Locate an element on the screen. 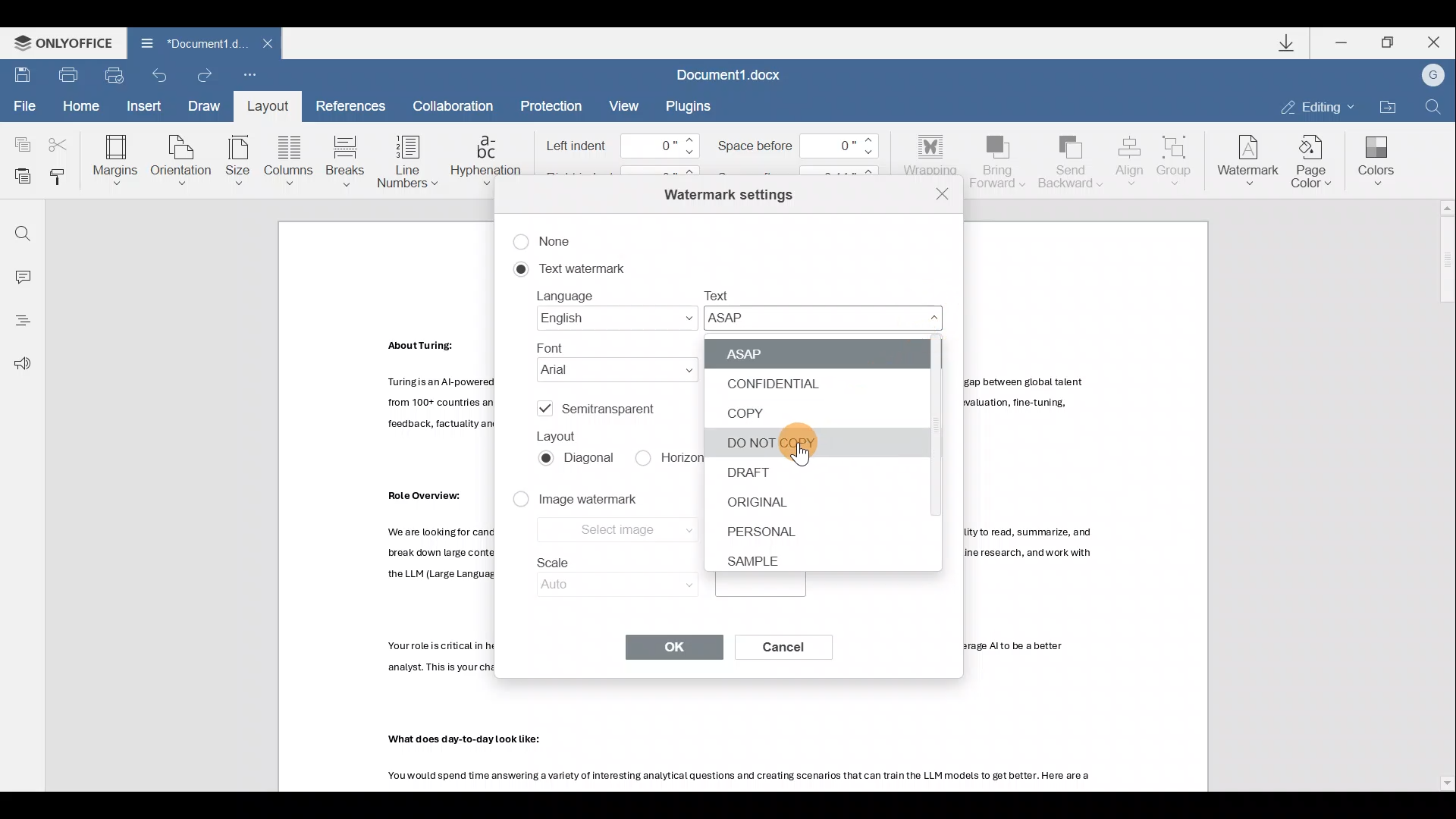  Watermark settings is located at coordinates (725, 192).